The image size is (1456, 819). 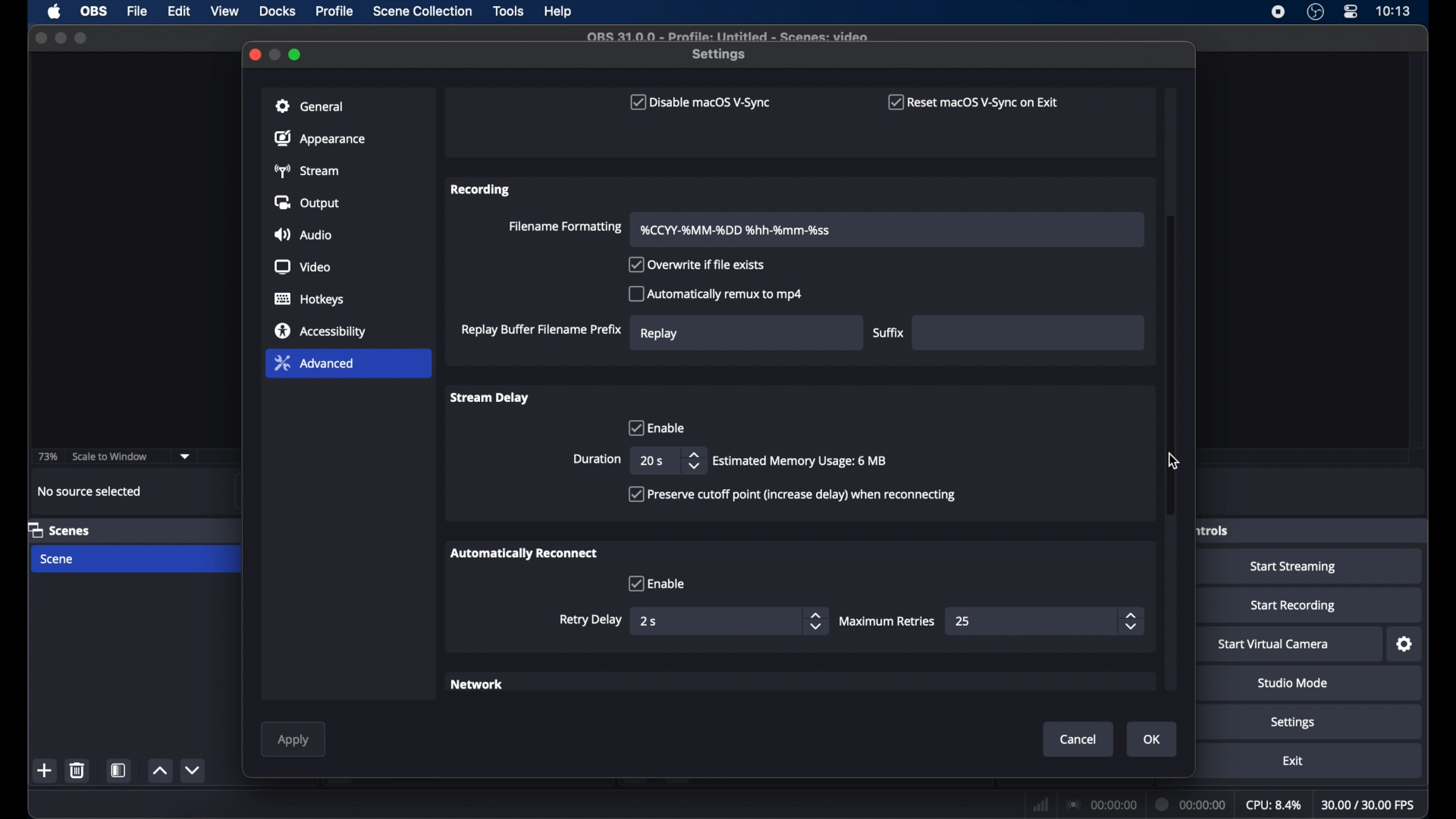 What do you see at coordinates (1294, 606) in the screenshot?
I see `start recording` at bounding box center [1294, 606].